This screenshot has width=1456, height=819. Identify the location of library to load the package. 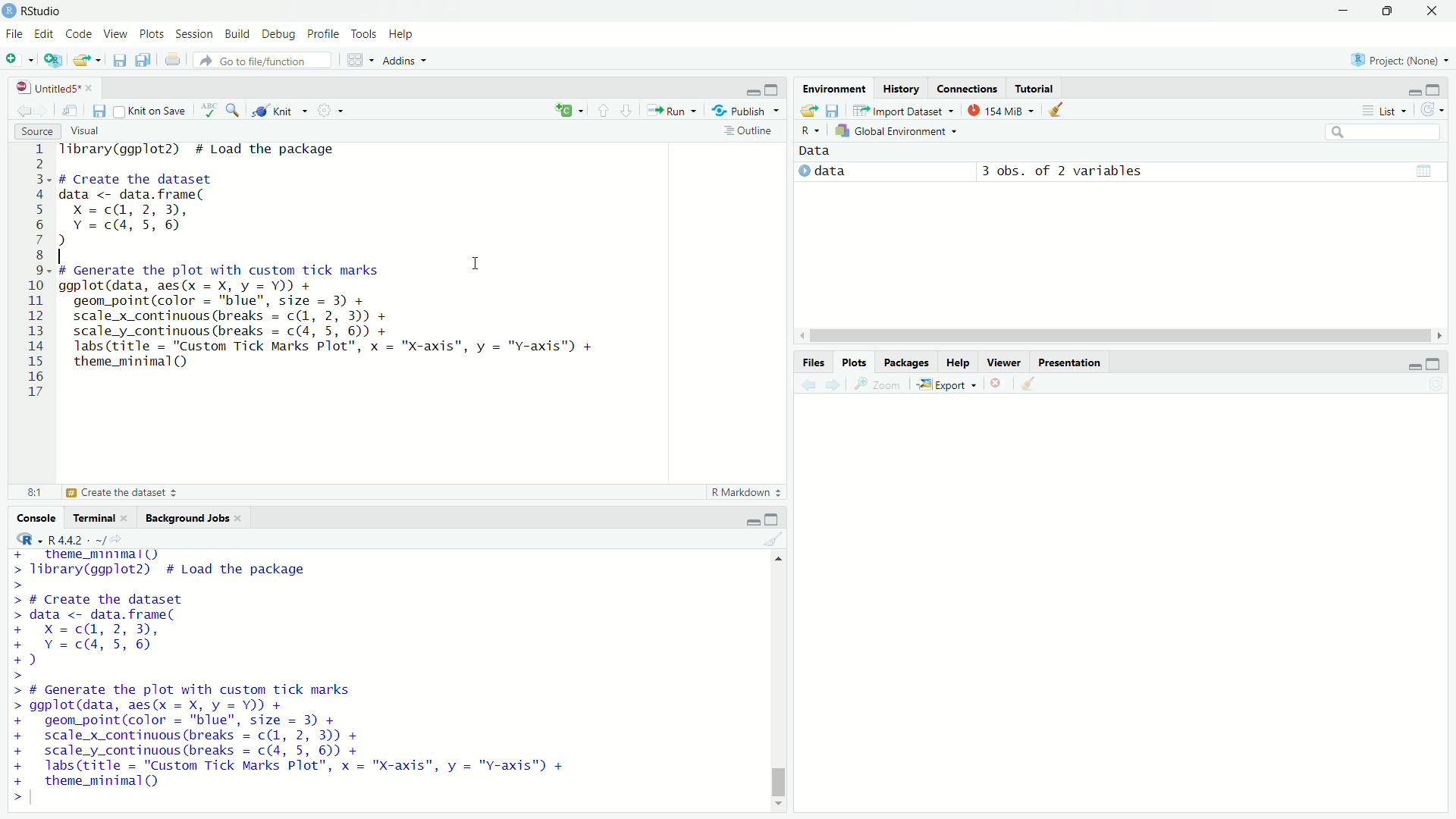
(204, 563).